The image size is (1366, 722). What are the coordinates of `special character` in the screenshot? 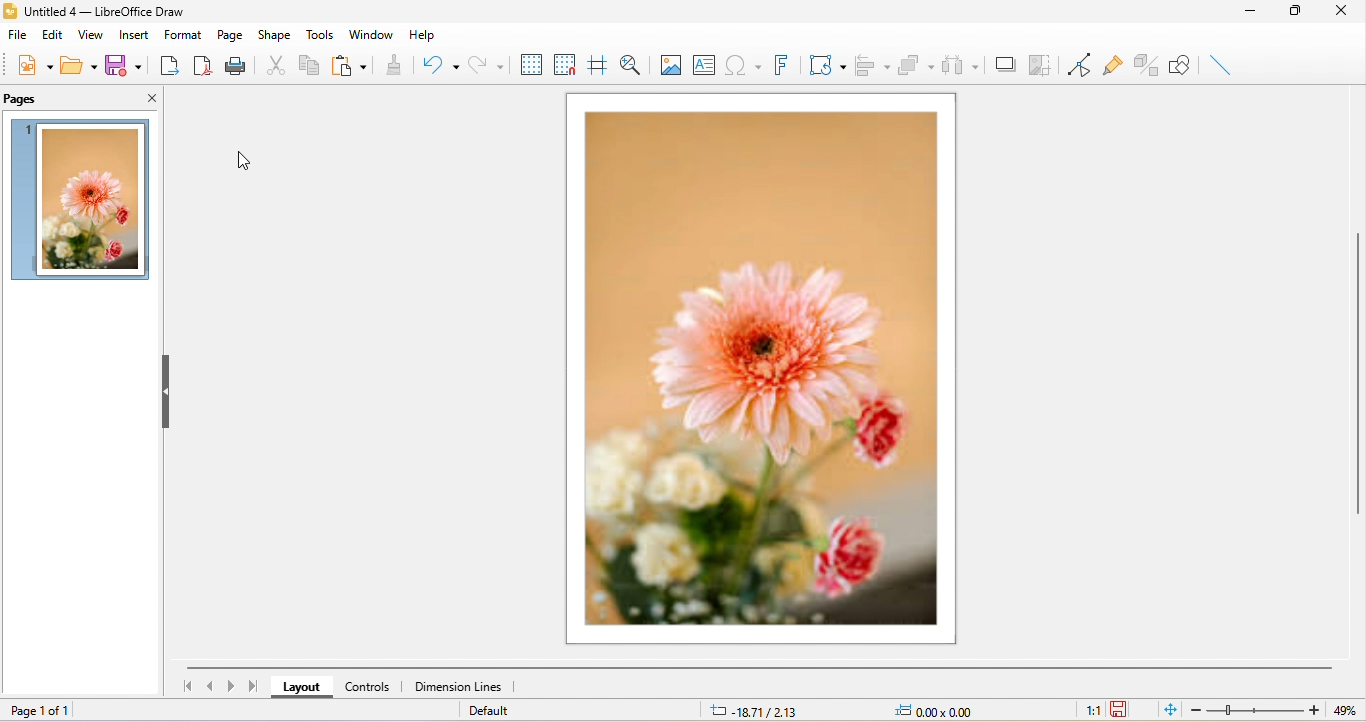 It's located at (742, 67).